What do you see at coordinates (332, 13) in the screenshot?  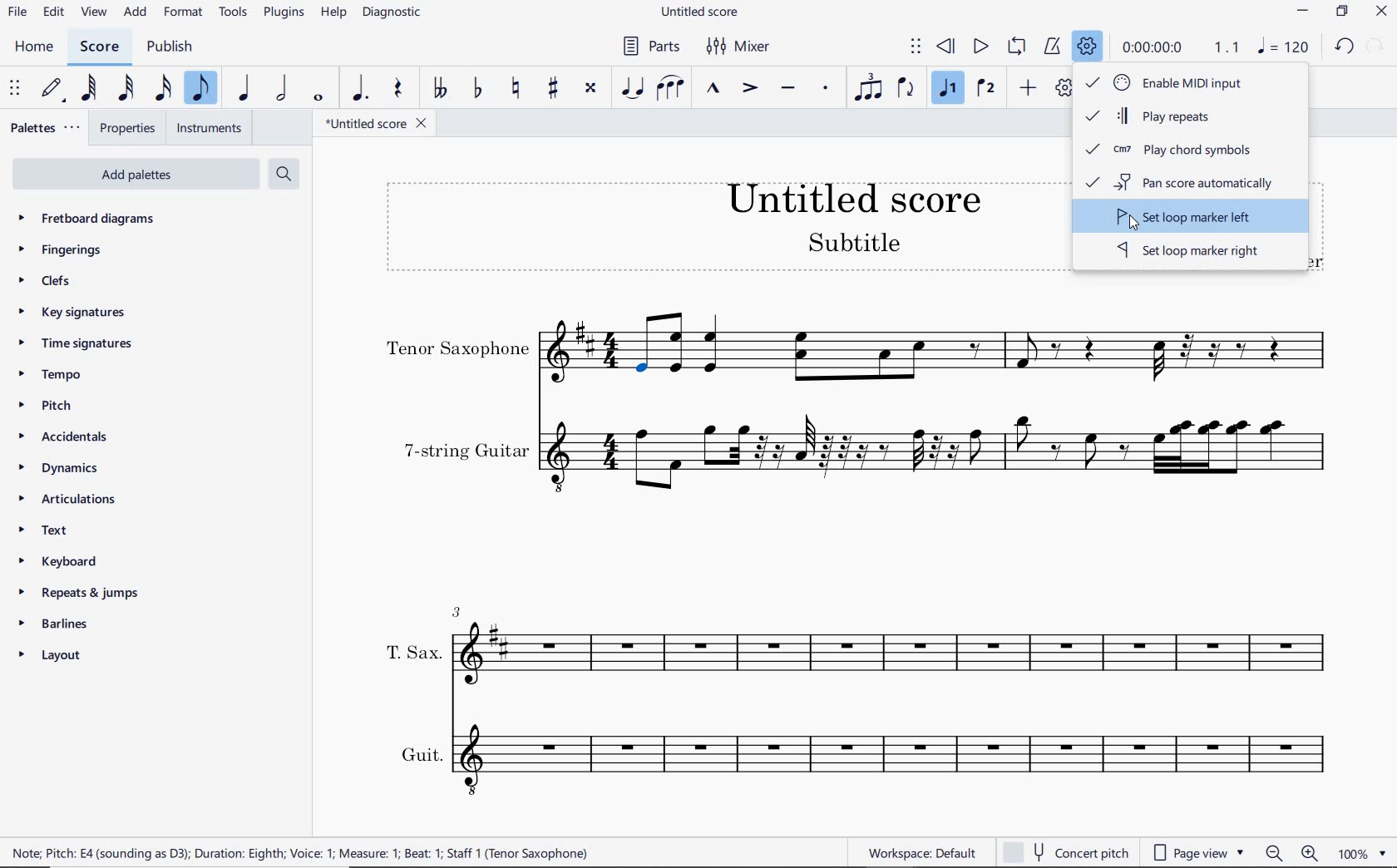 I see `HELP` at bounding box center [332, 13].